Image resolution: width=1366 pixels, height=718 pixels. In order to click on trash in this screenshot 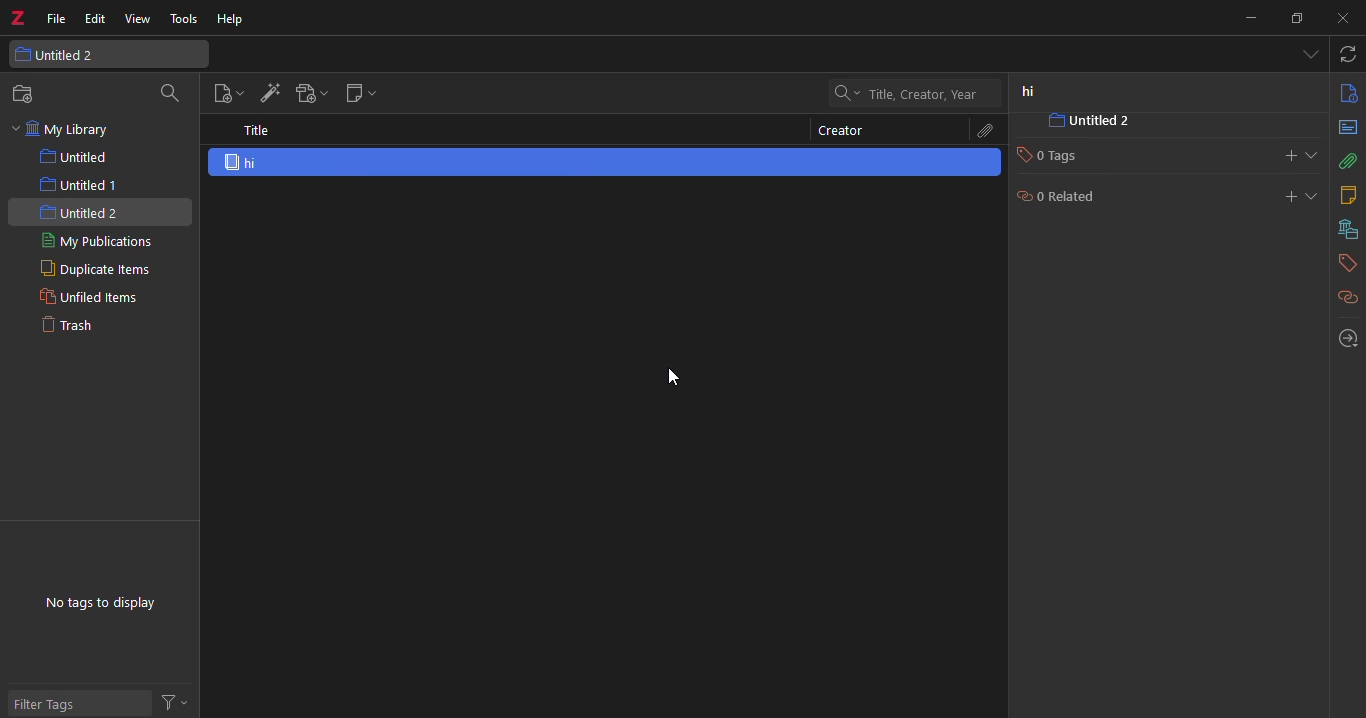, I will do `click(74, 326)`.